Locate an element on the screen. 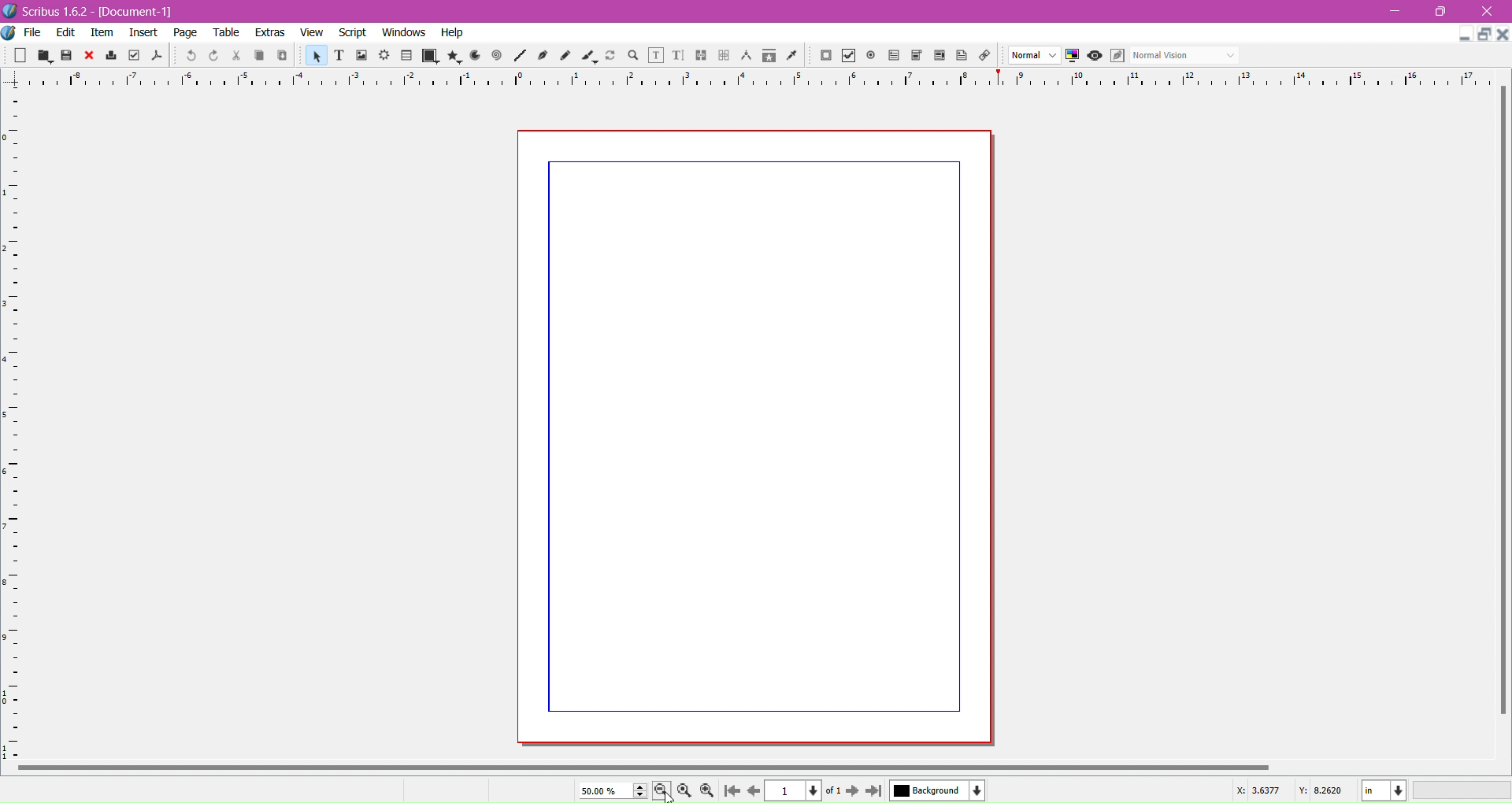 The width and height of the screenshot is (1512, 803). Measurements is located at coordinates (747, 57).